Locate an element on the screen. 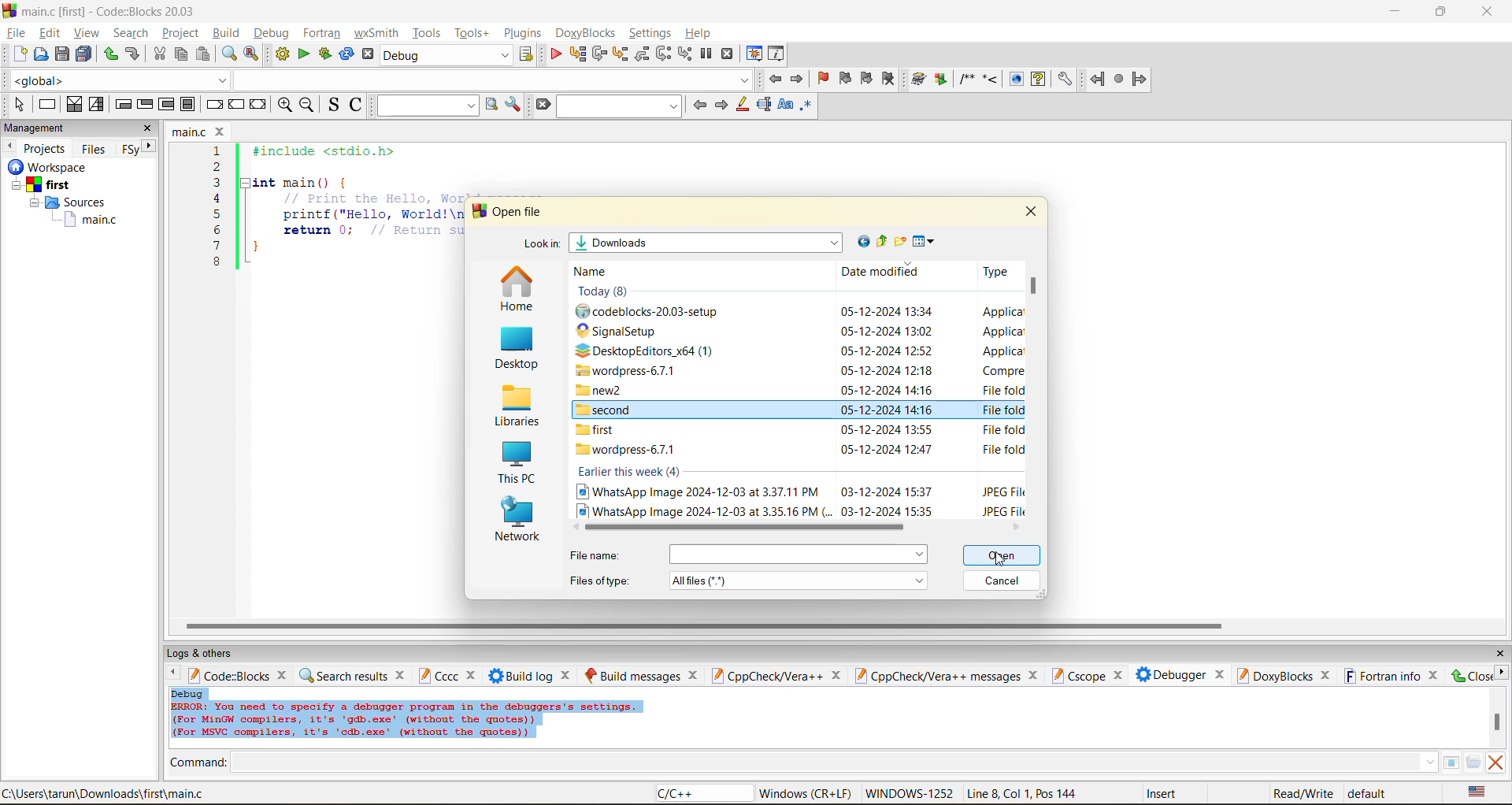  next is located at coordinates (721, 105).